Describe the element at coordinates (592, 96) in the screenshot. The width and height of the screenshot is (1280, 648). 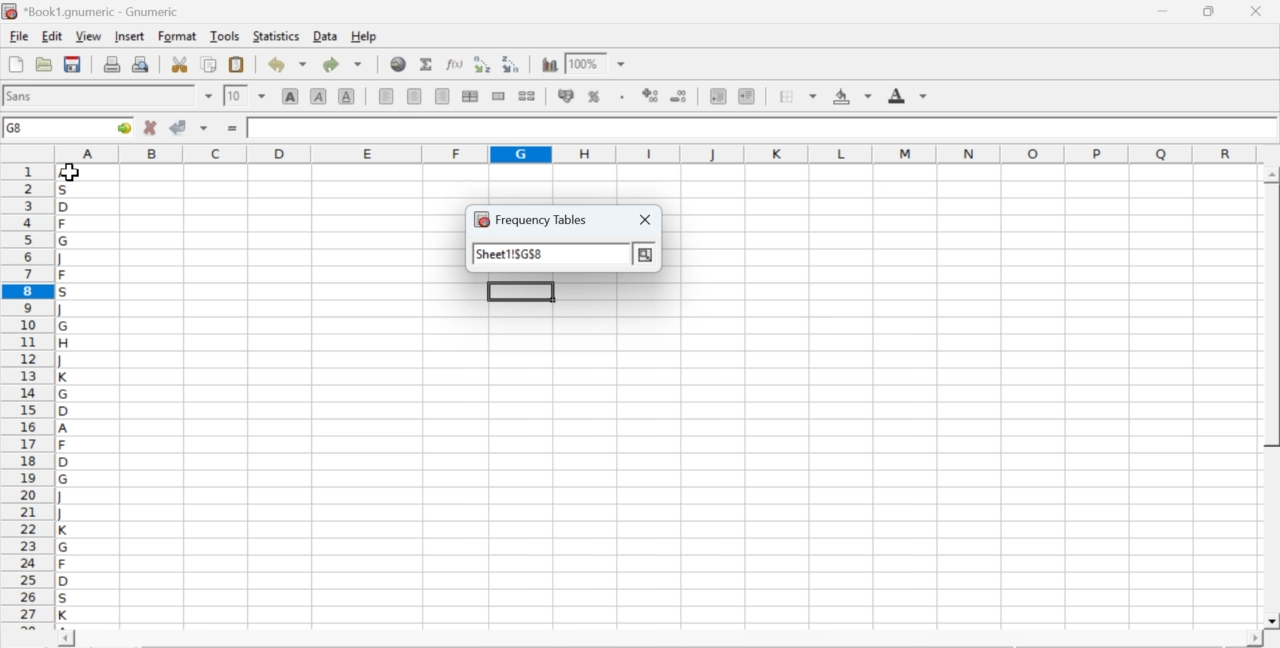
I see `format selection as percentage` at that location.